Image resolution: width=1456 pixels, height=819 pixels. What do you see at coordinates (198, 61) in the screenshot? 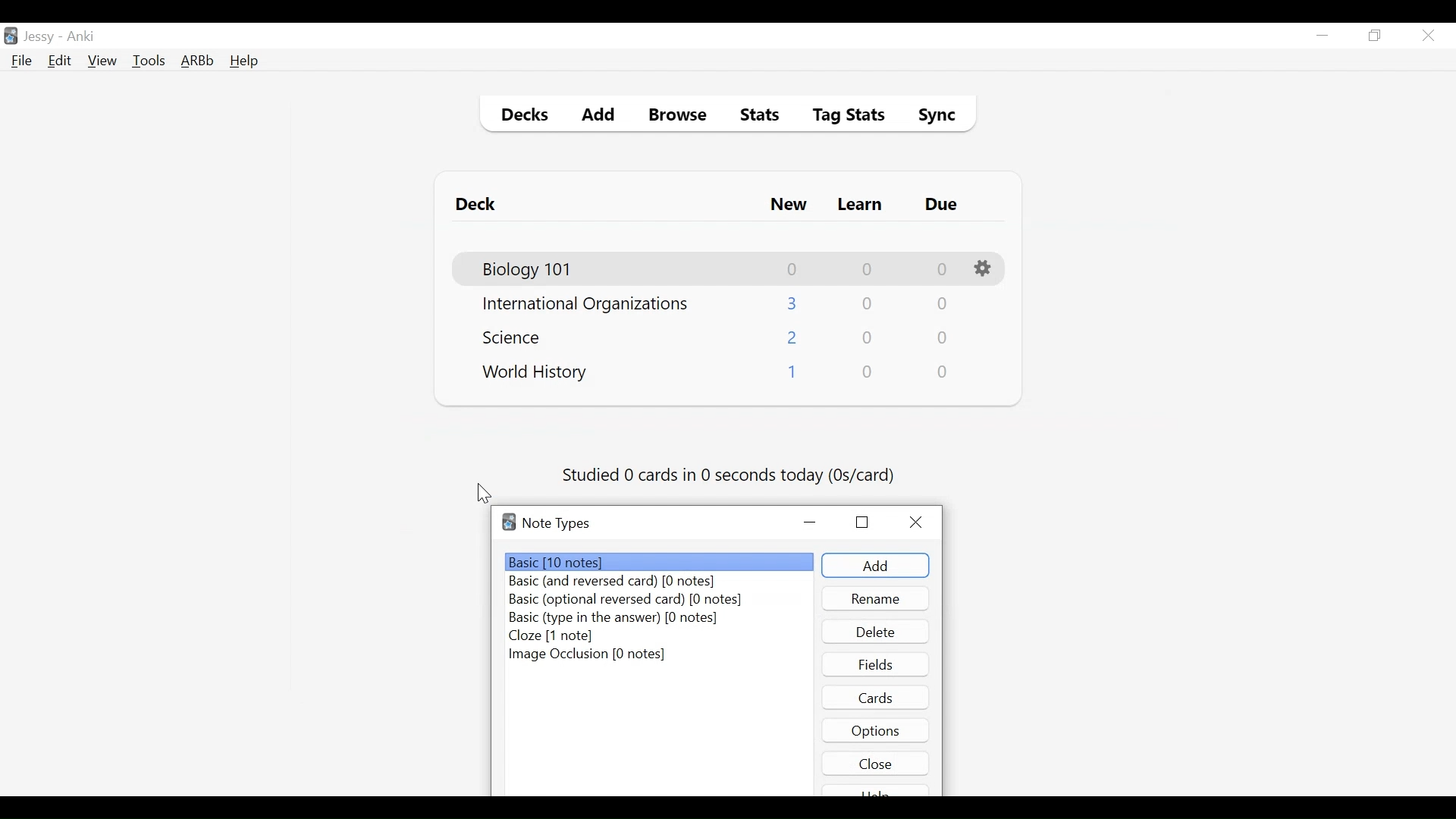
I see `Advanced Review Button bar` at bounding box center [198, 61].